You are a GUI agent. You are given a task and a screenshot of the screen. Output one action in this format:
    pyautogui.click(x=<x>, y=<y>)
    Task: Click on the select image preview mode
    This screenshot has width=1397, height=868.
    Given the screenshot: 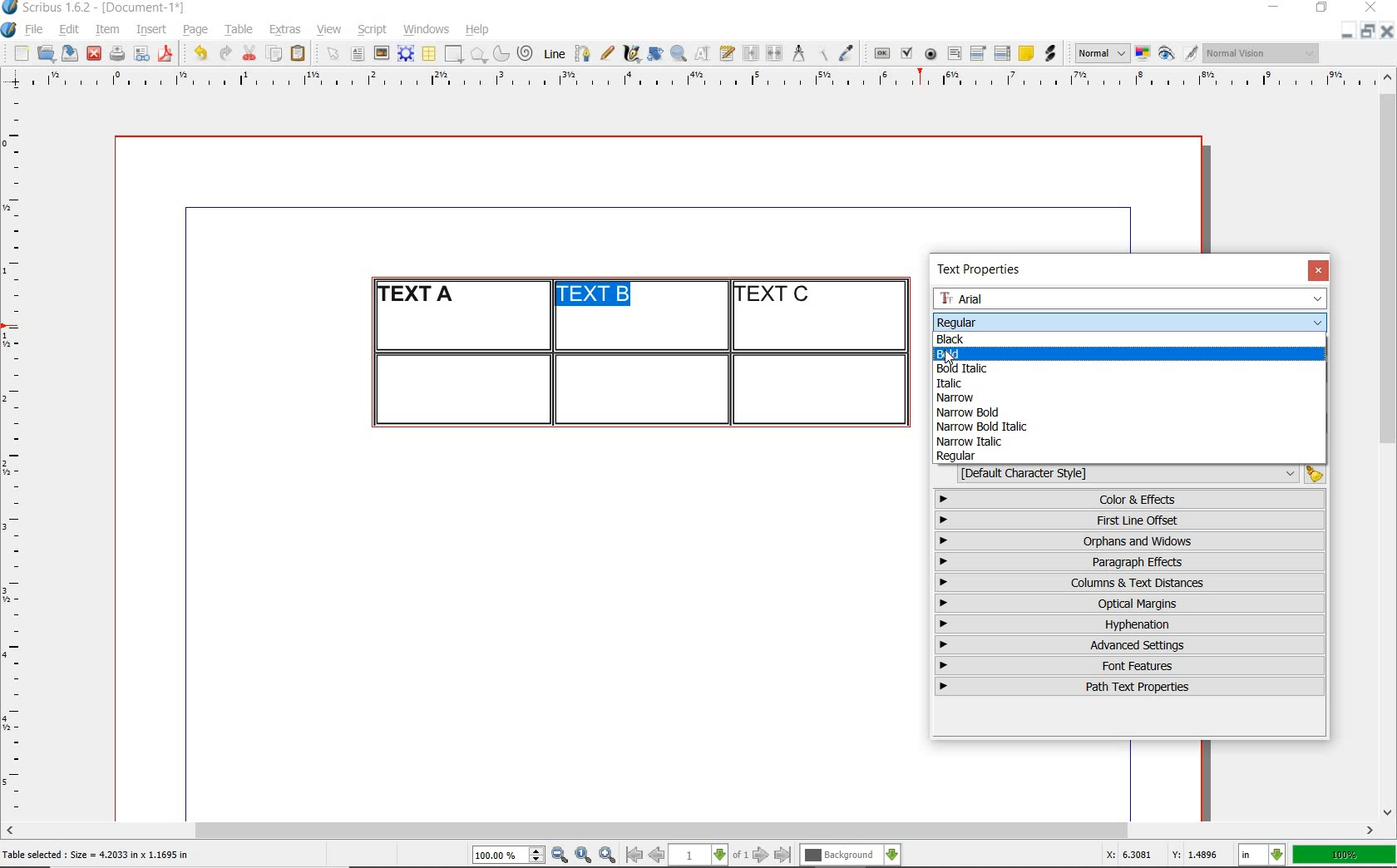 What is the action you would take?
    pyautogui.click(x=1101, y=54)
    